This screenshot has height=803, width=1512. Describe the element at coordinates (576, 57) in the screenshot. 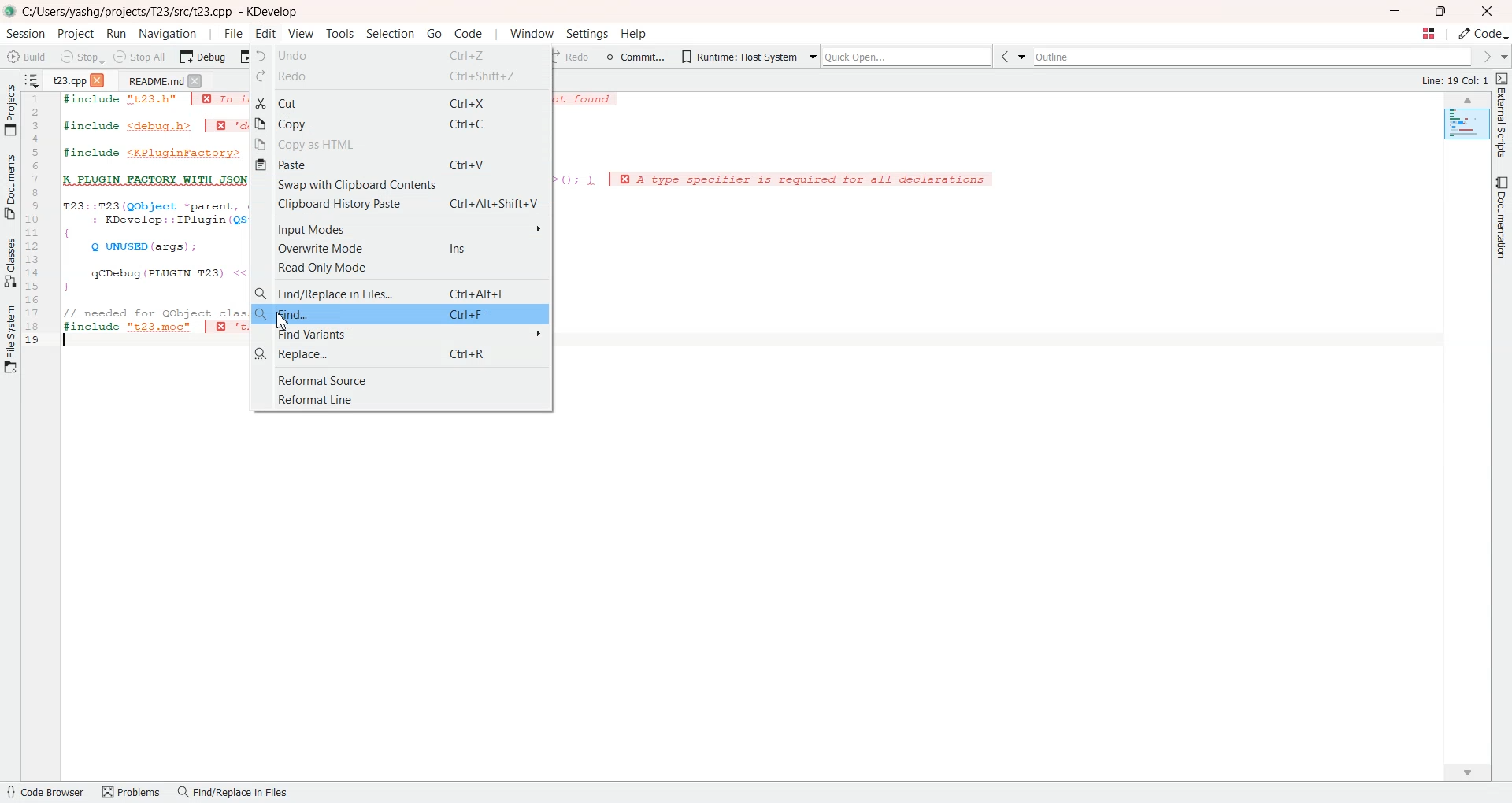

I see `Redo` at that location.